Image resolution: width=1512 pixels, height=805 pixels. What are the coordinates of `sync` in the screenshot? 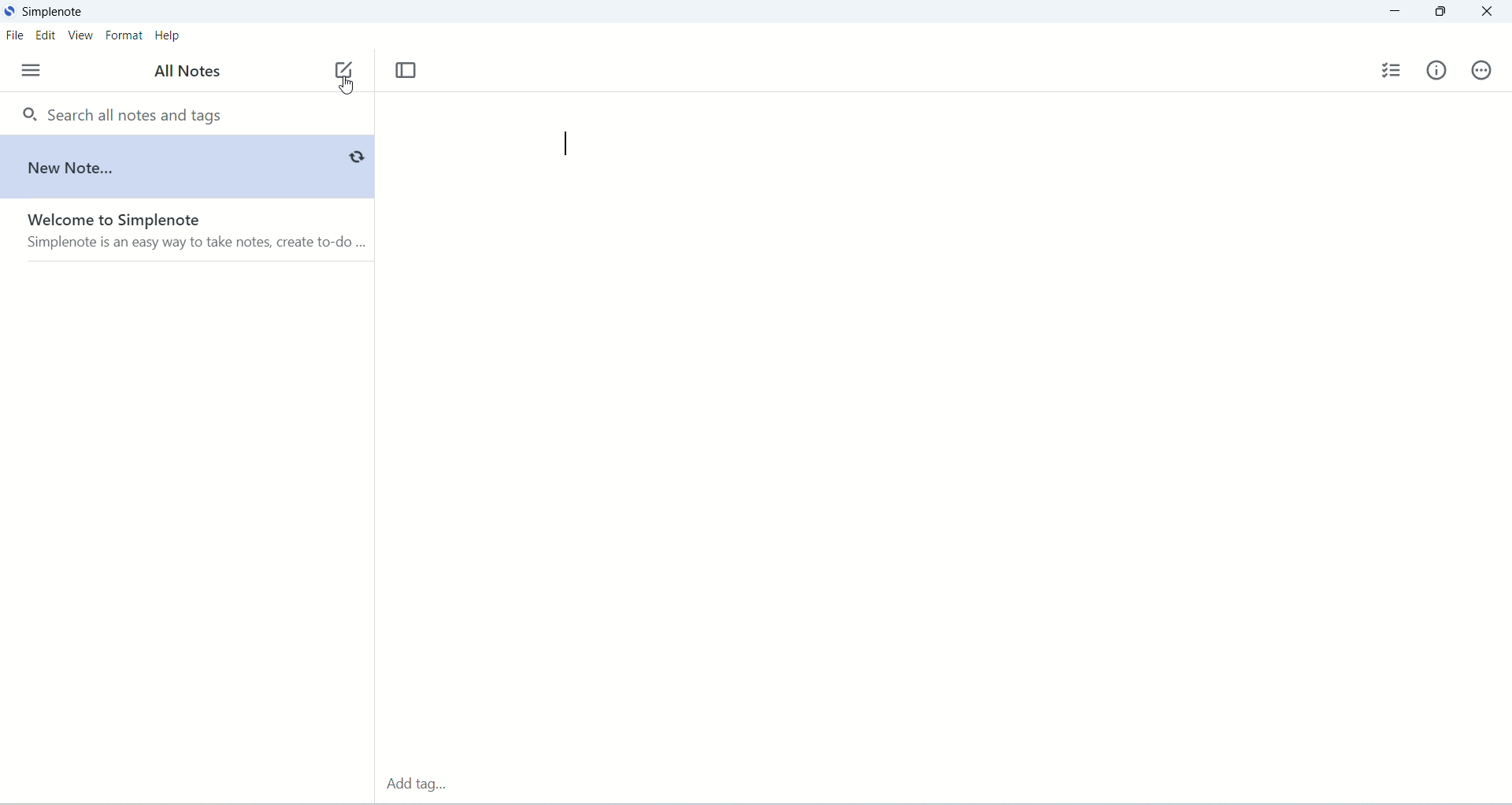 It's located at (357, 159).